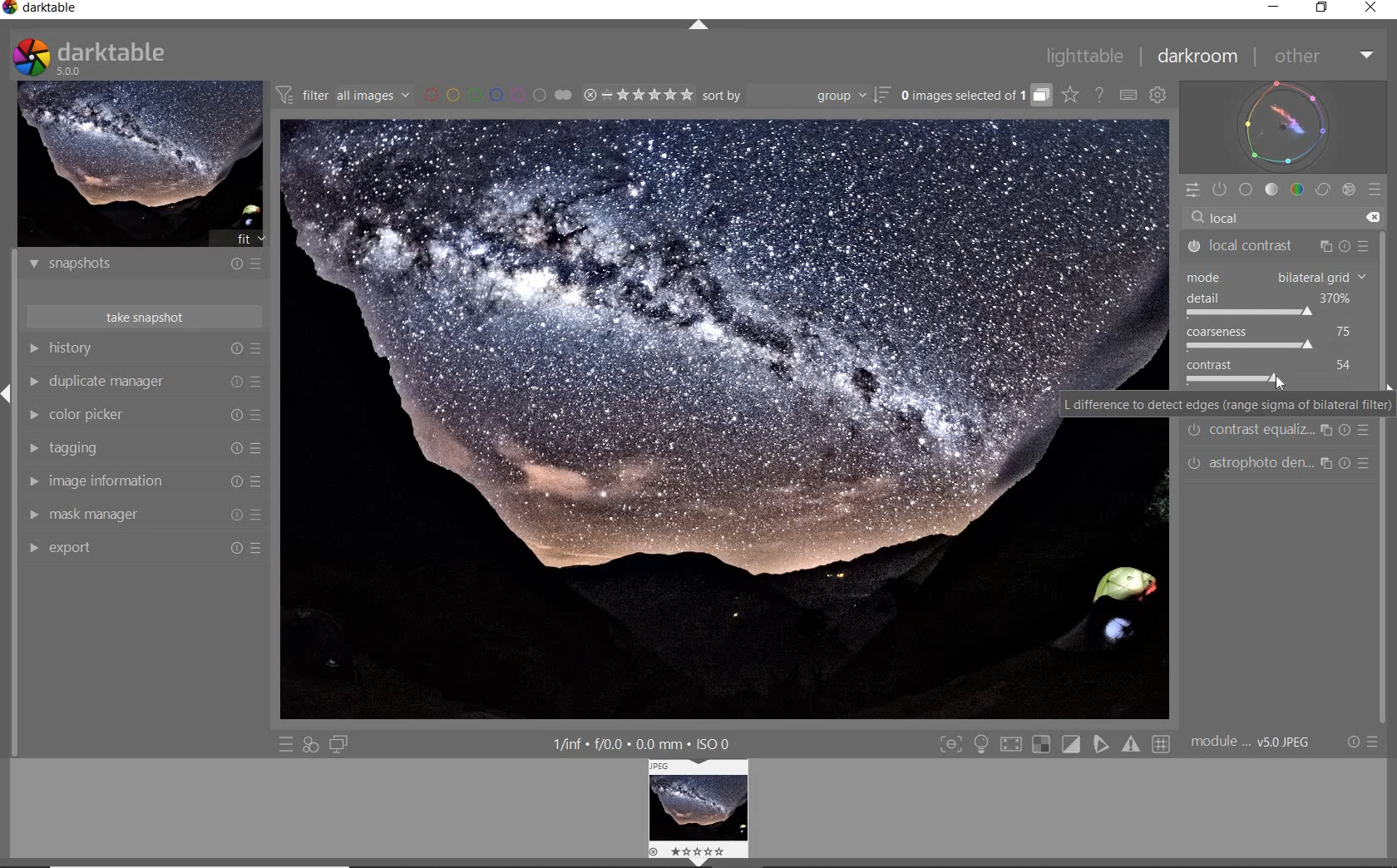 The image size is (1397, 868). Describe the element at coordinates (235, 349) in the screenshot. I see `reset` at that location.